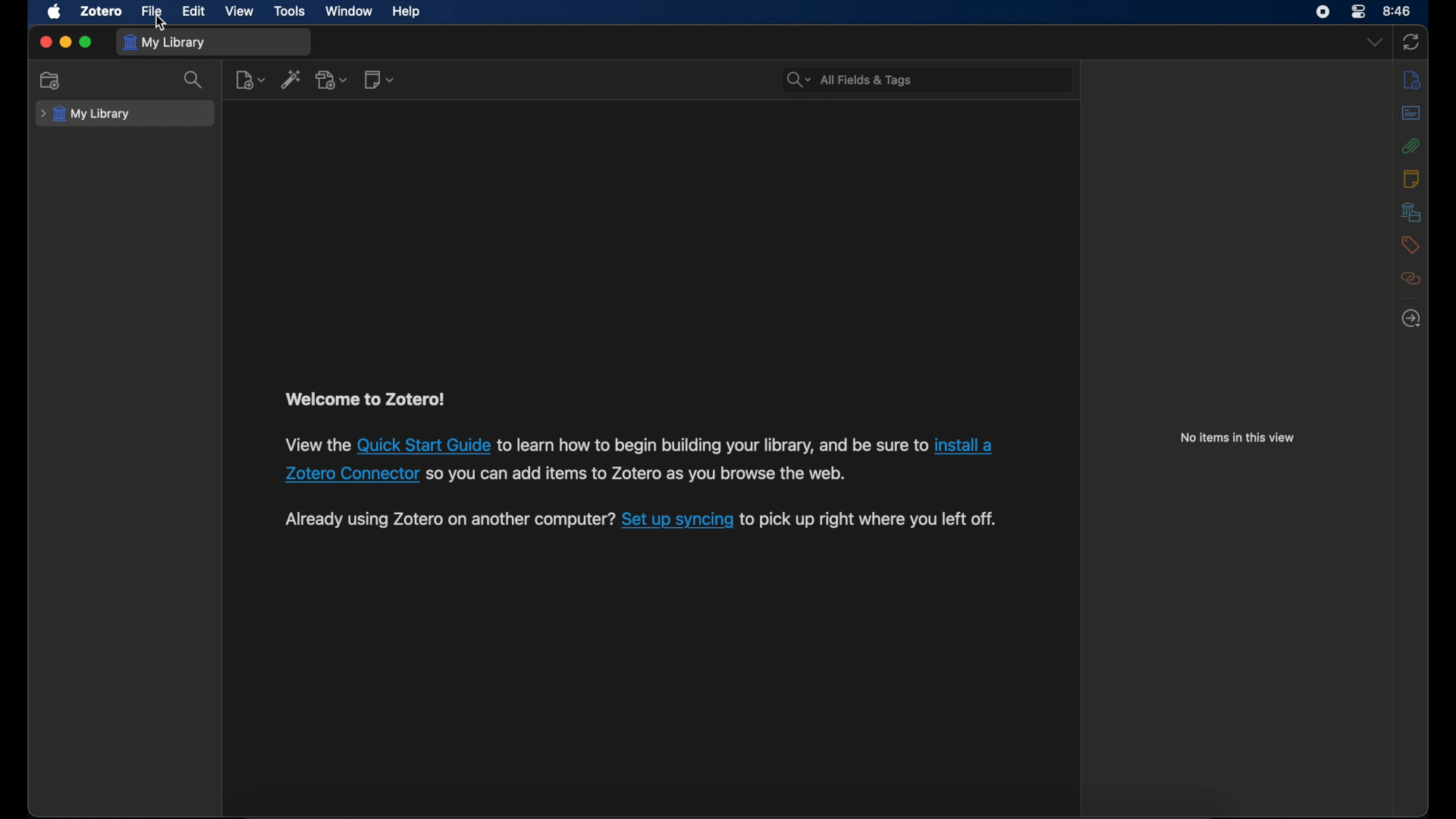 The height and width of the screenshot is (819, 1456). What do you see at coordinates (1323, 11) in the screenshot?
I see `screen recorder` at bounding box center [1323, 11].